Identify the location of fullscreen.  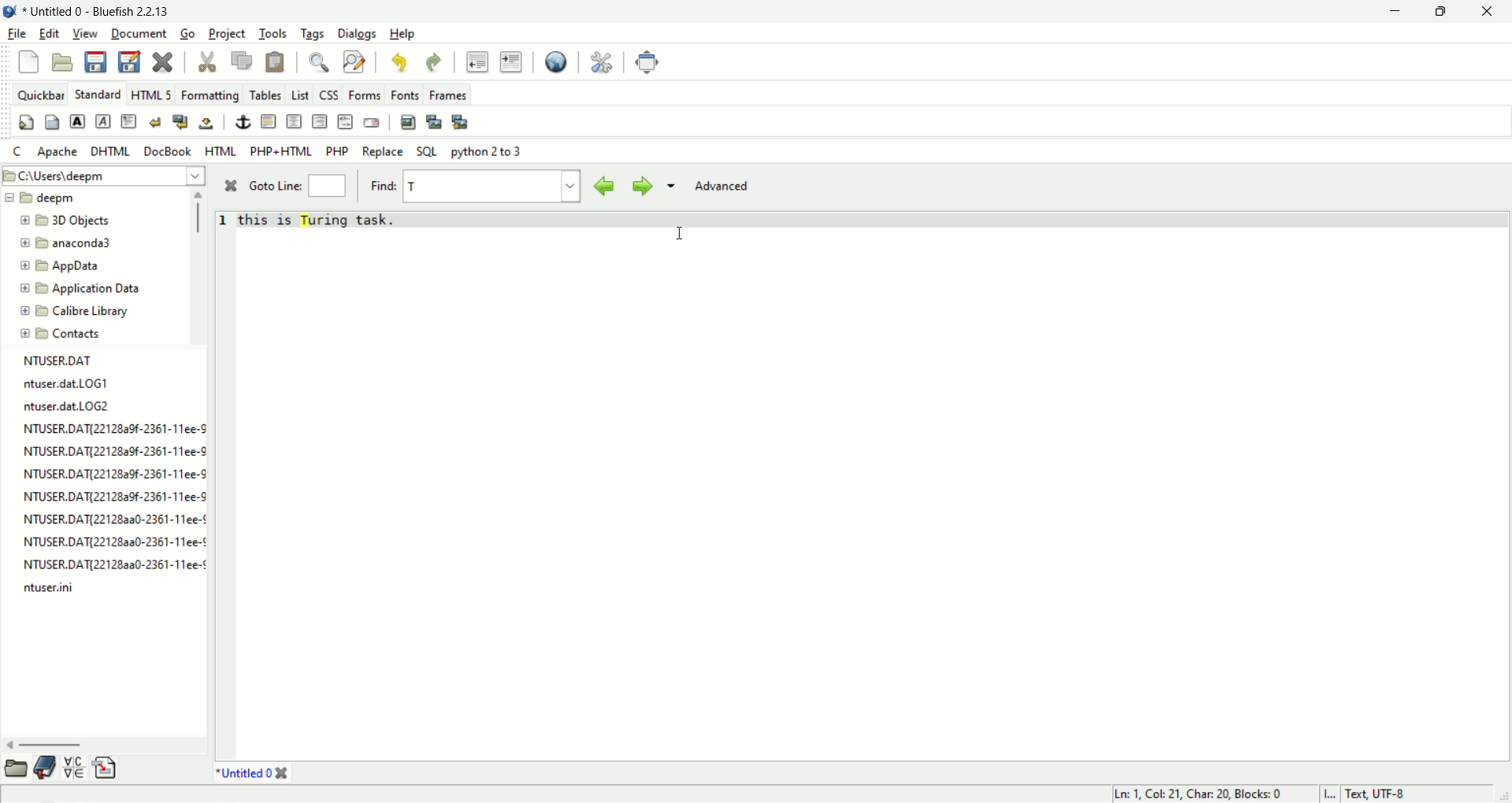
(648, 62).